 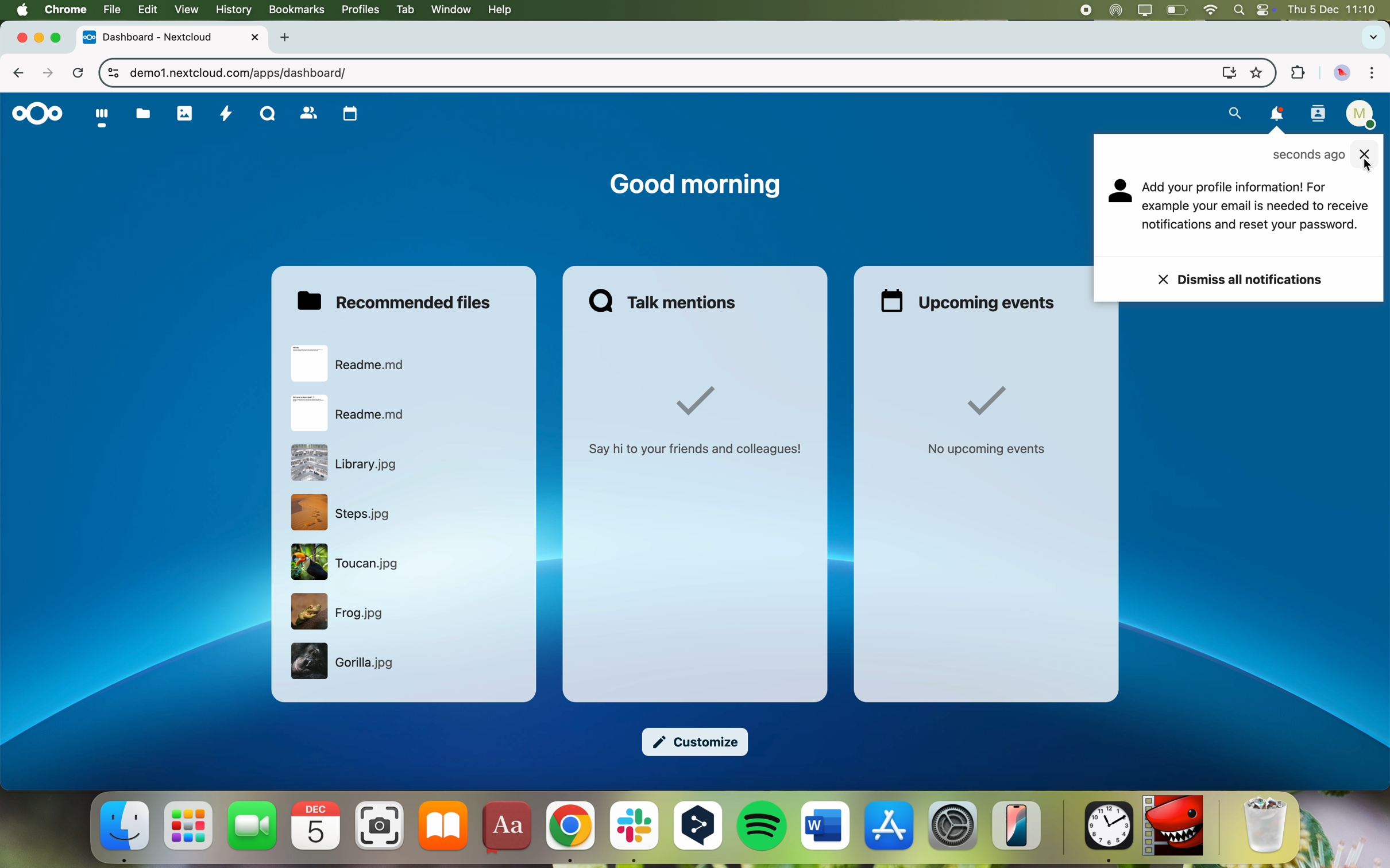 What do you see at coordinates (890, 828) in the screenshot?
I see `AppStore` at bounding box center [890, 828].